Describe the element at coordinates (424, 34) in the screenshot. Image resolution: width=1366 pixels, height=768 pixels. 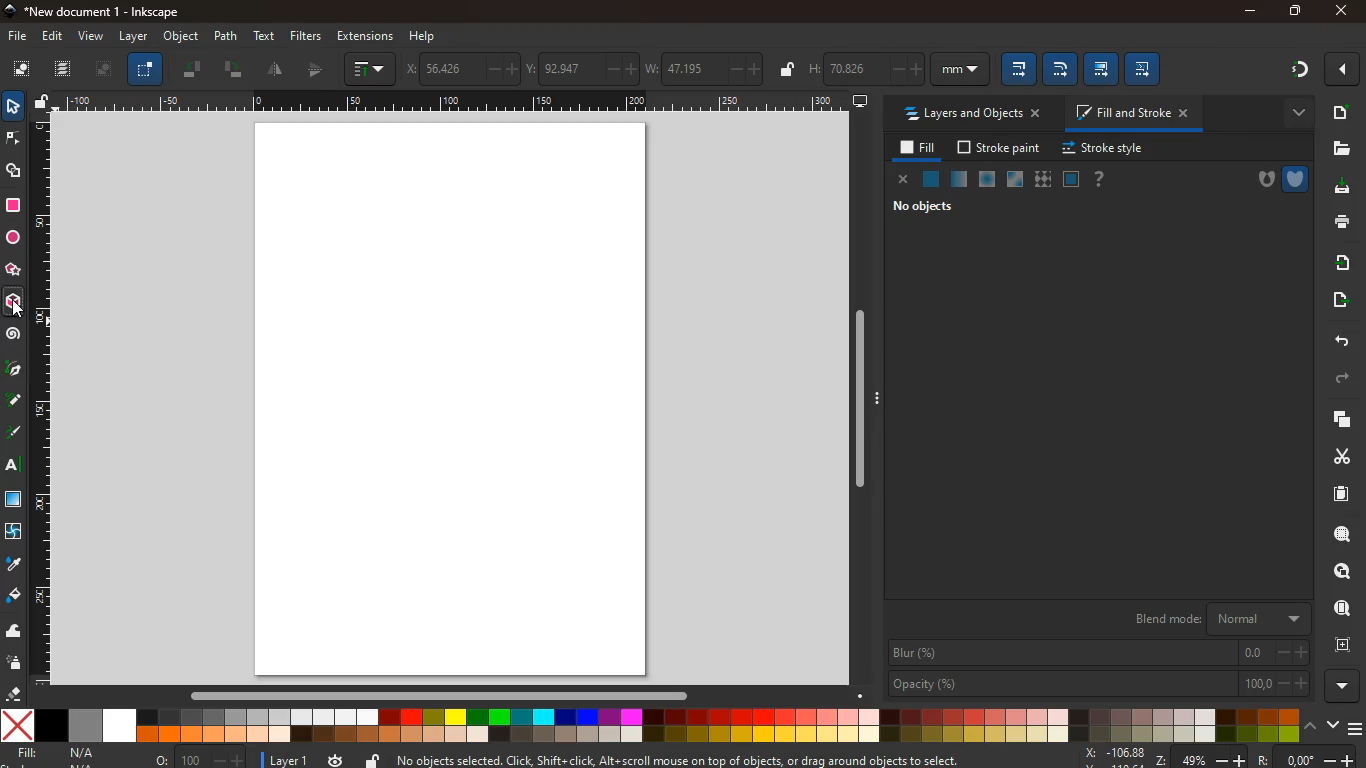
I see `help` at that location.